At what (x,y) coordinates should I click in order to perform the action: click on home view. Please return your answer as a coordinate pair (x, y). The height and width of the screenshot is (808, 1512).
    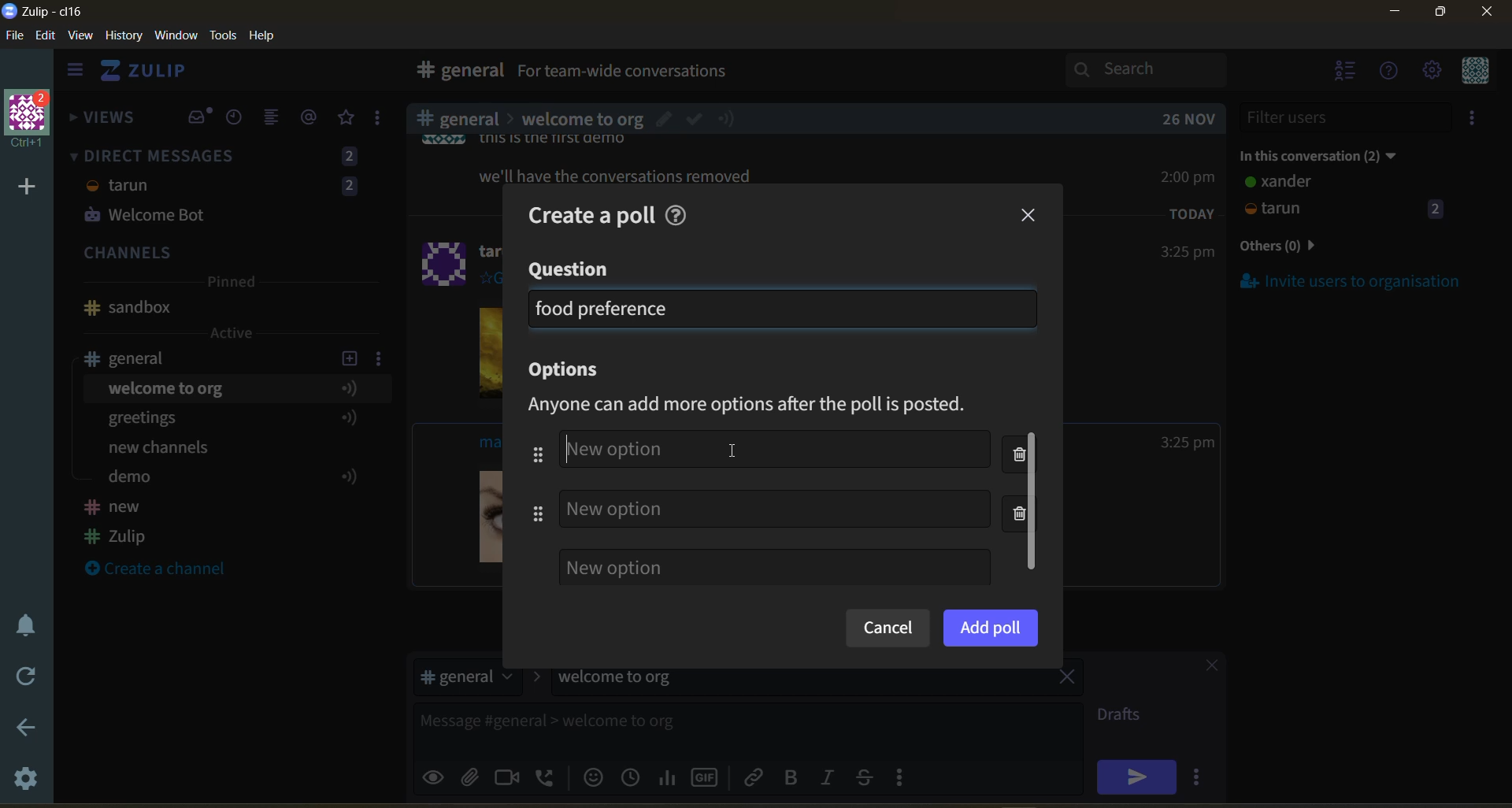
    Looking at the image, I should click on (154, 75).